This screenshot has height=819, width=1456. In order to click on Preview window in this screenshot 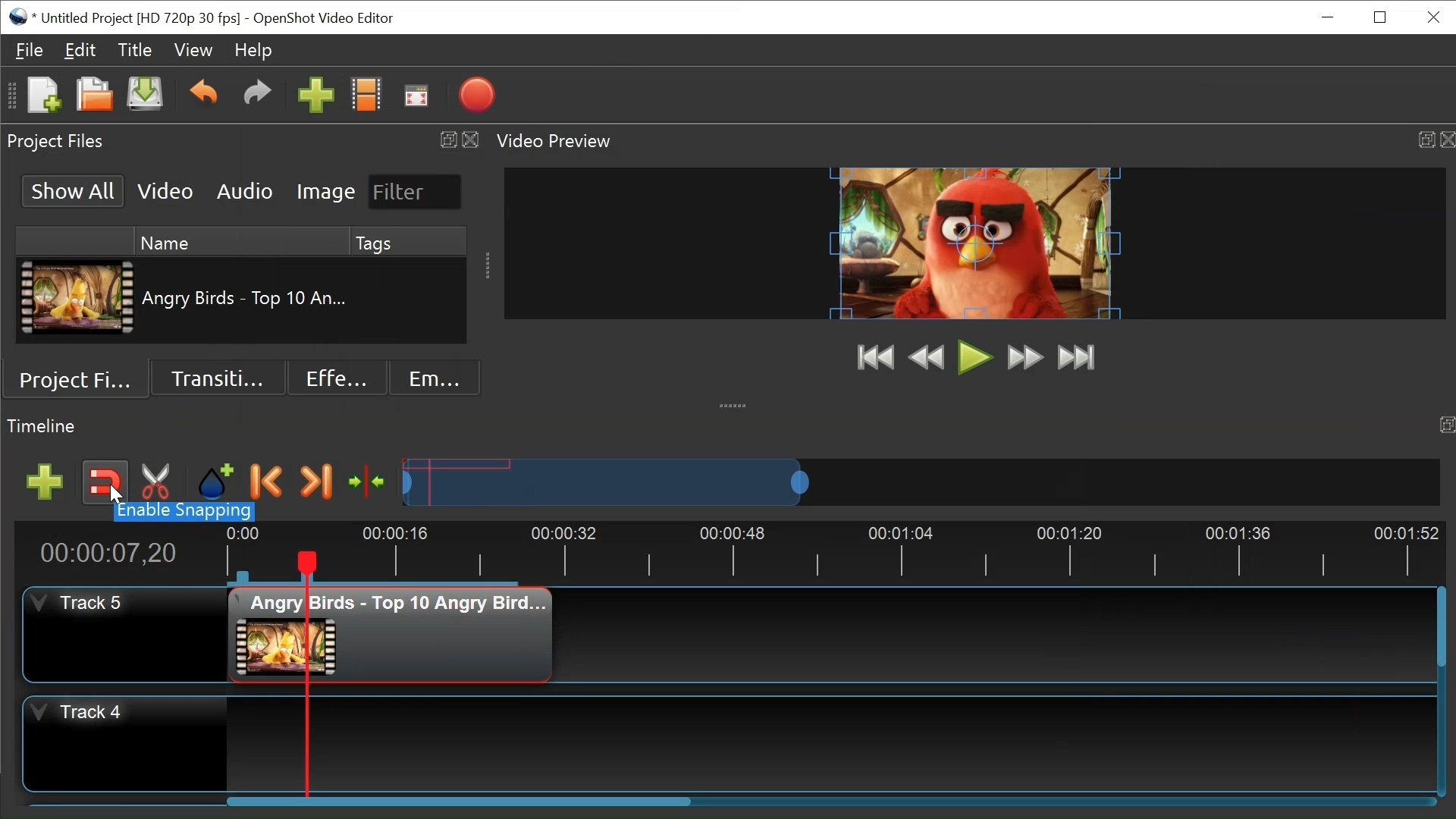, I will do `click(974, 243)`.